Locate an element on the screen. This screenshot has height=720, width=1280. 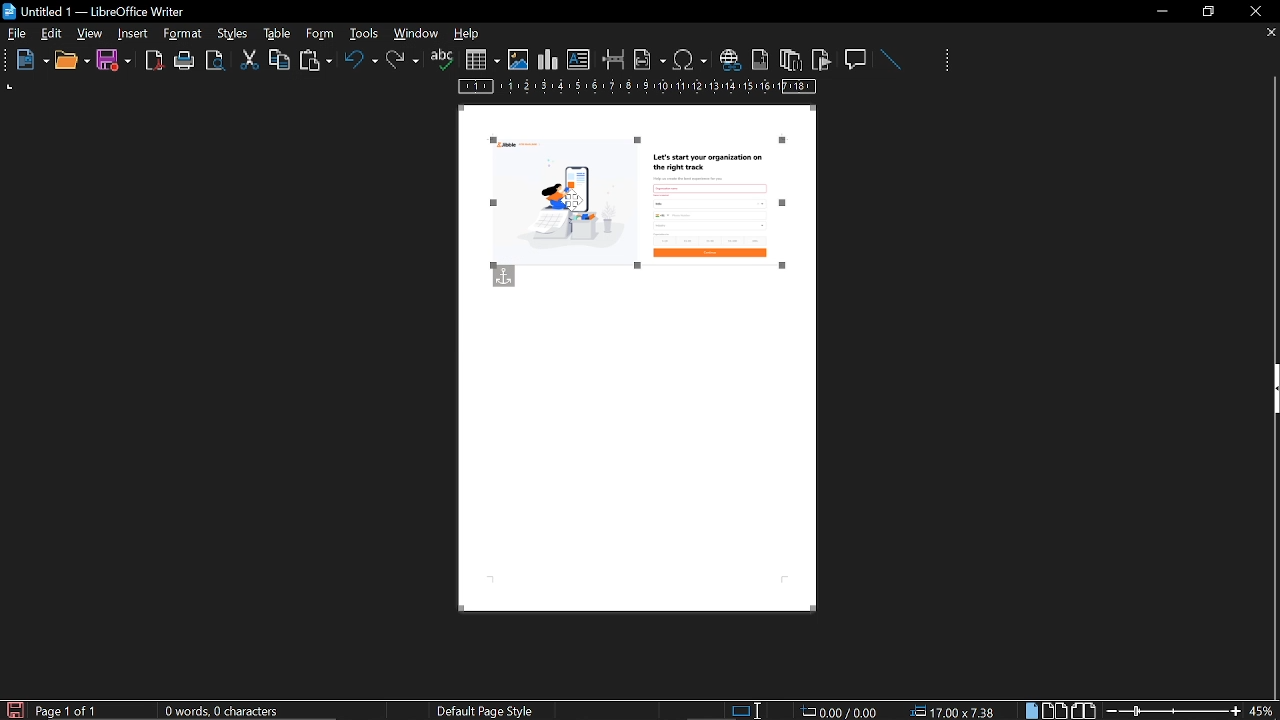
scale is located at coordinates (638, 88).